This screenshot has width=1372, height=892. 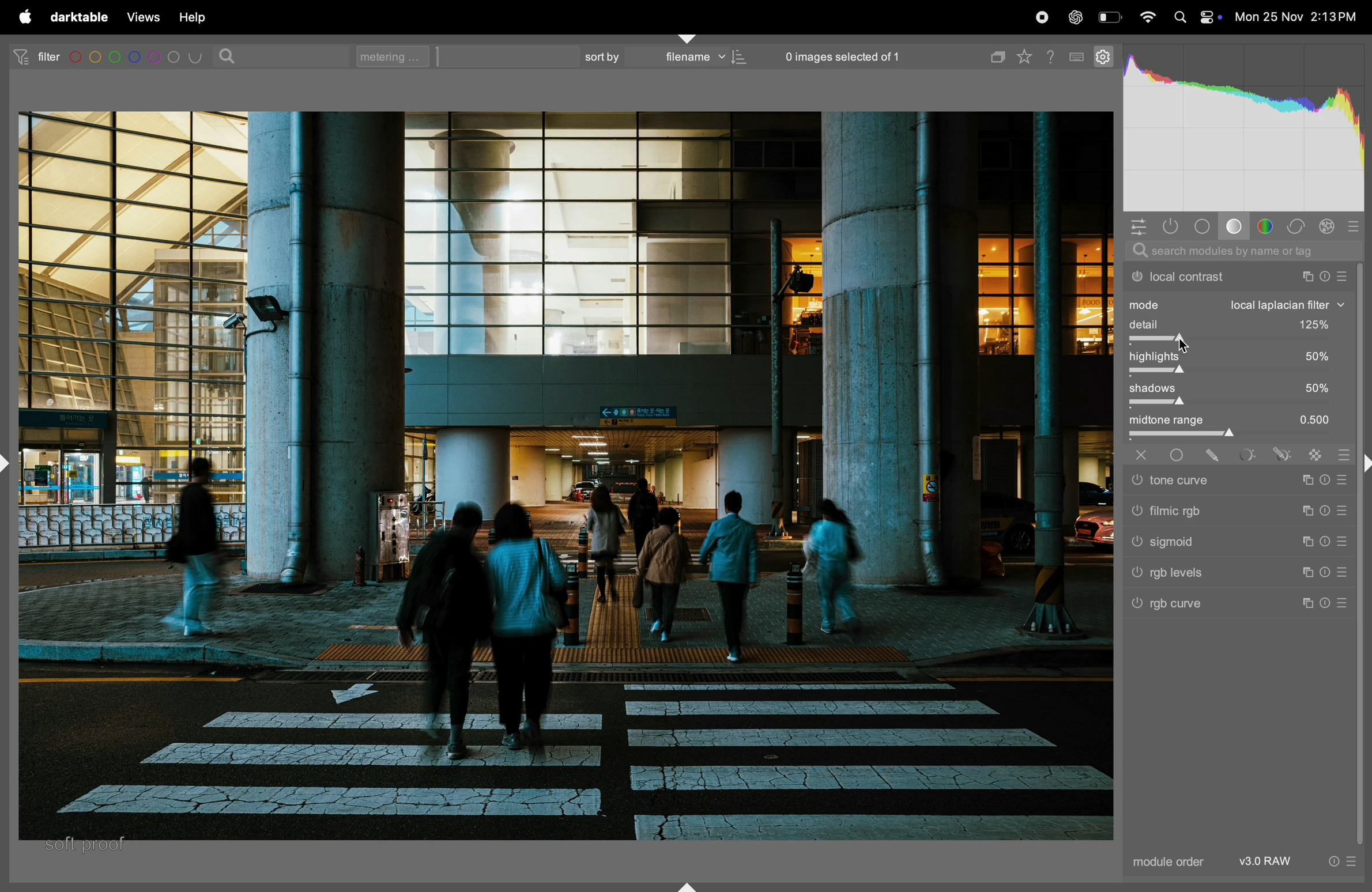 What do you see at coordinates (230, 55) in the screenshot?
I see `search` at bounding box center [230, 55].